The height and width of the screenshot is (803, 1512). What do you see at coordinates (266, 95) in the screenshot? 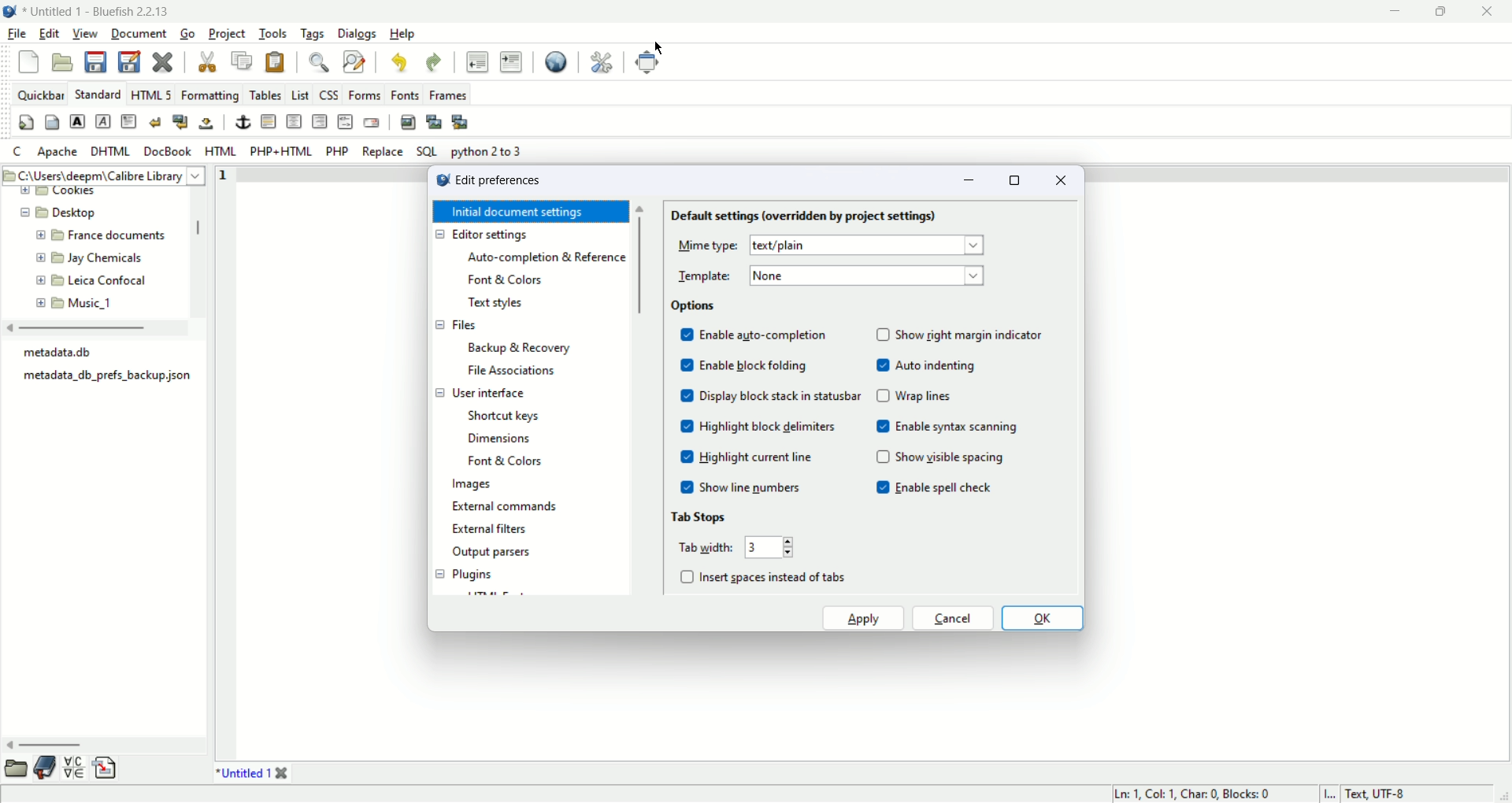
I see `tables` at bounding box center [266, 95].